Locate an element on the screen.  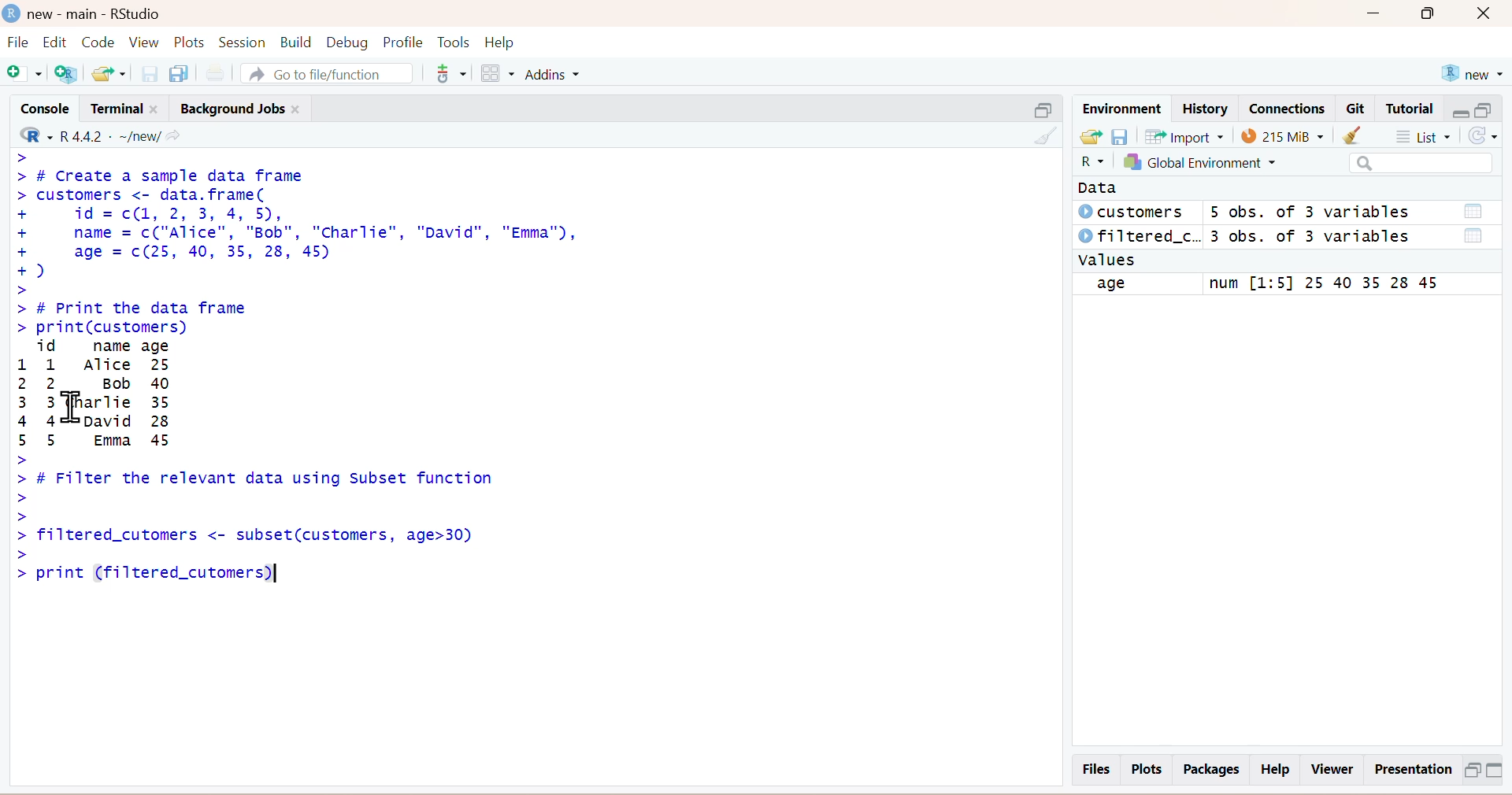
Minimize is located at coordinates (1376, 17).